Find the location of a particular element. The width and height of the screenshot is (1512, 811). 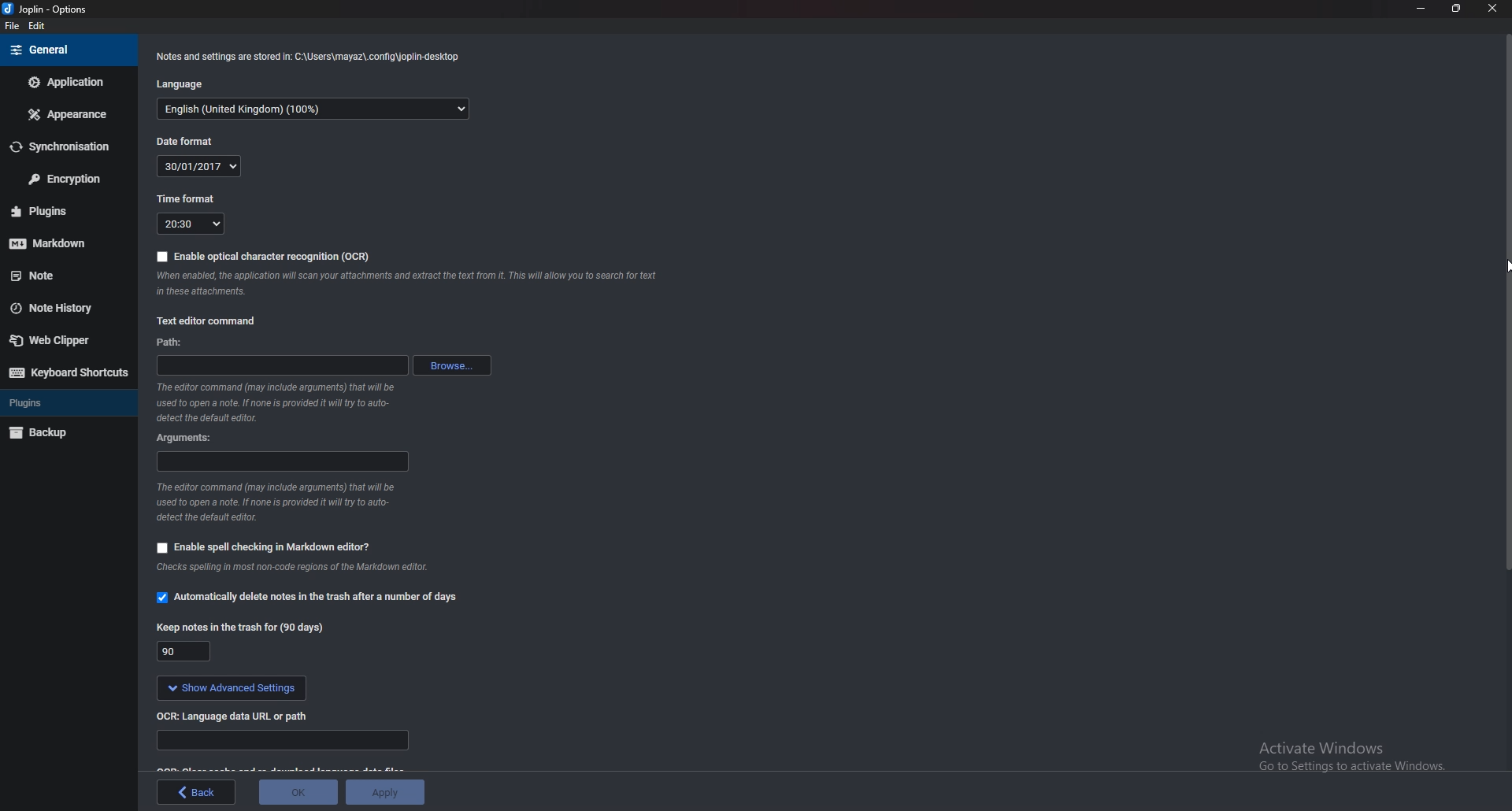

show advanced settings is located at coordinates (228, 687).